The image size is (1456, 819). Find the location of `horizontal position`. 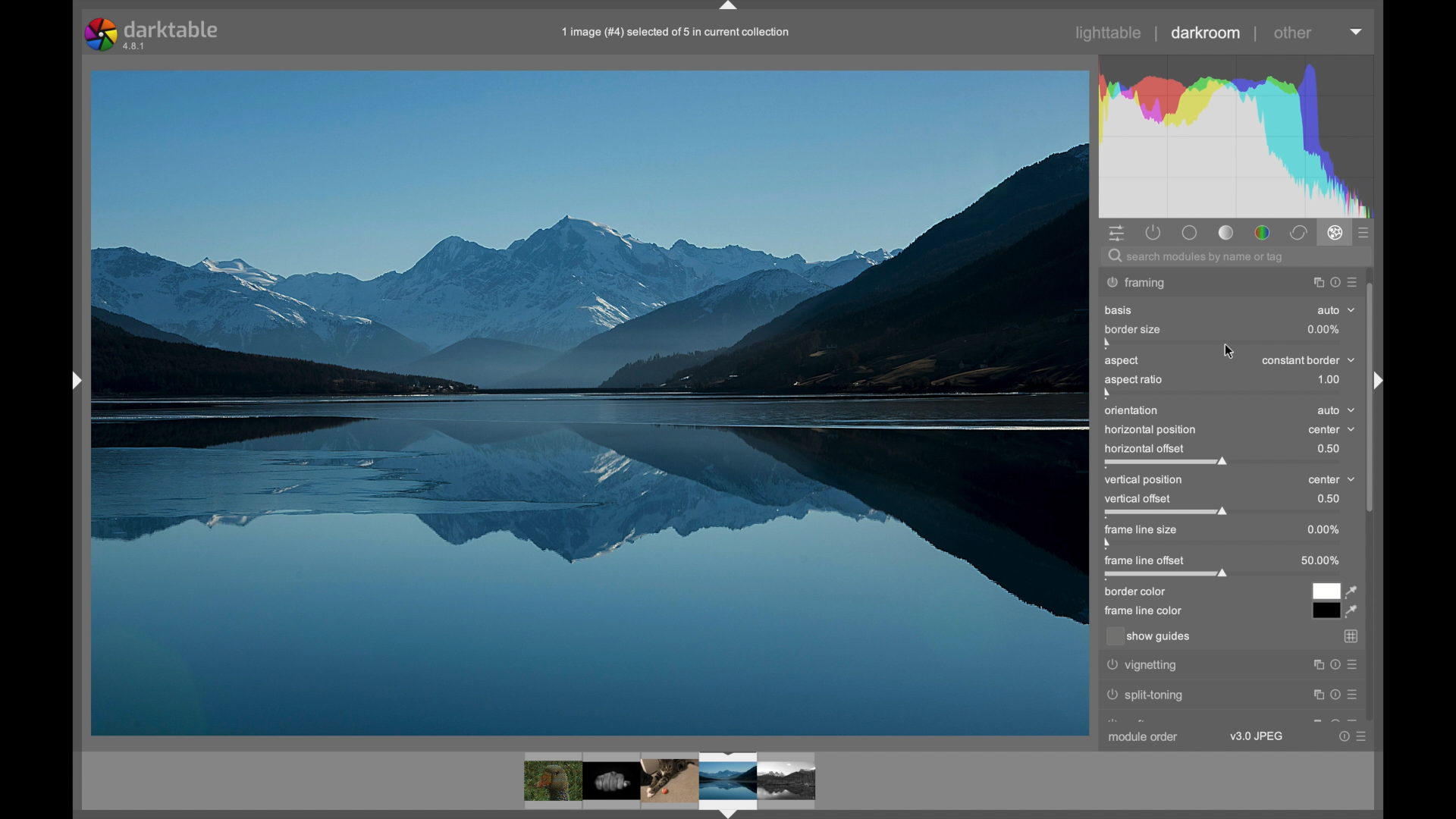

horizontal position is located at coordinates (1150, 431).